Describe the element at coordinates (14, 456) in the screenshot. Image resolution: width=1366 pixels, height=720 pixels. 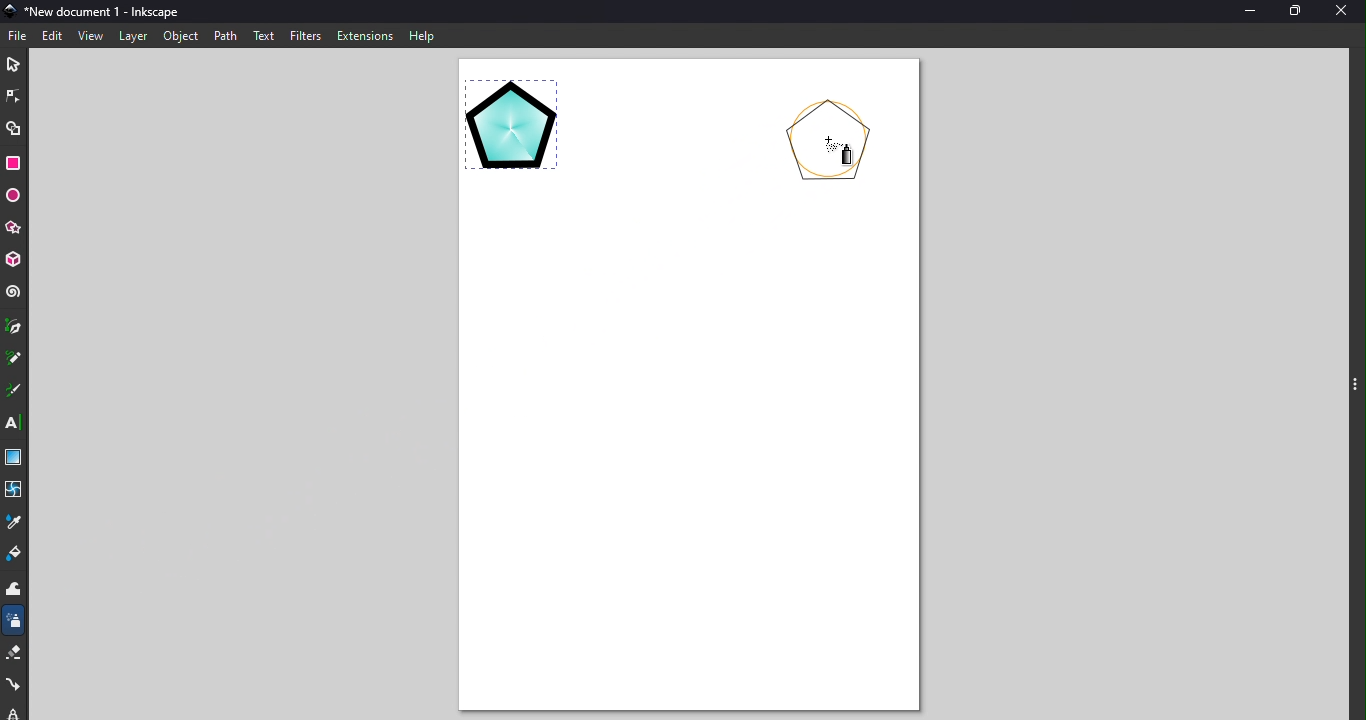
I see `Gradient tool` at that location.